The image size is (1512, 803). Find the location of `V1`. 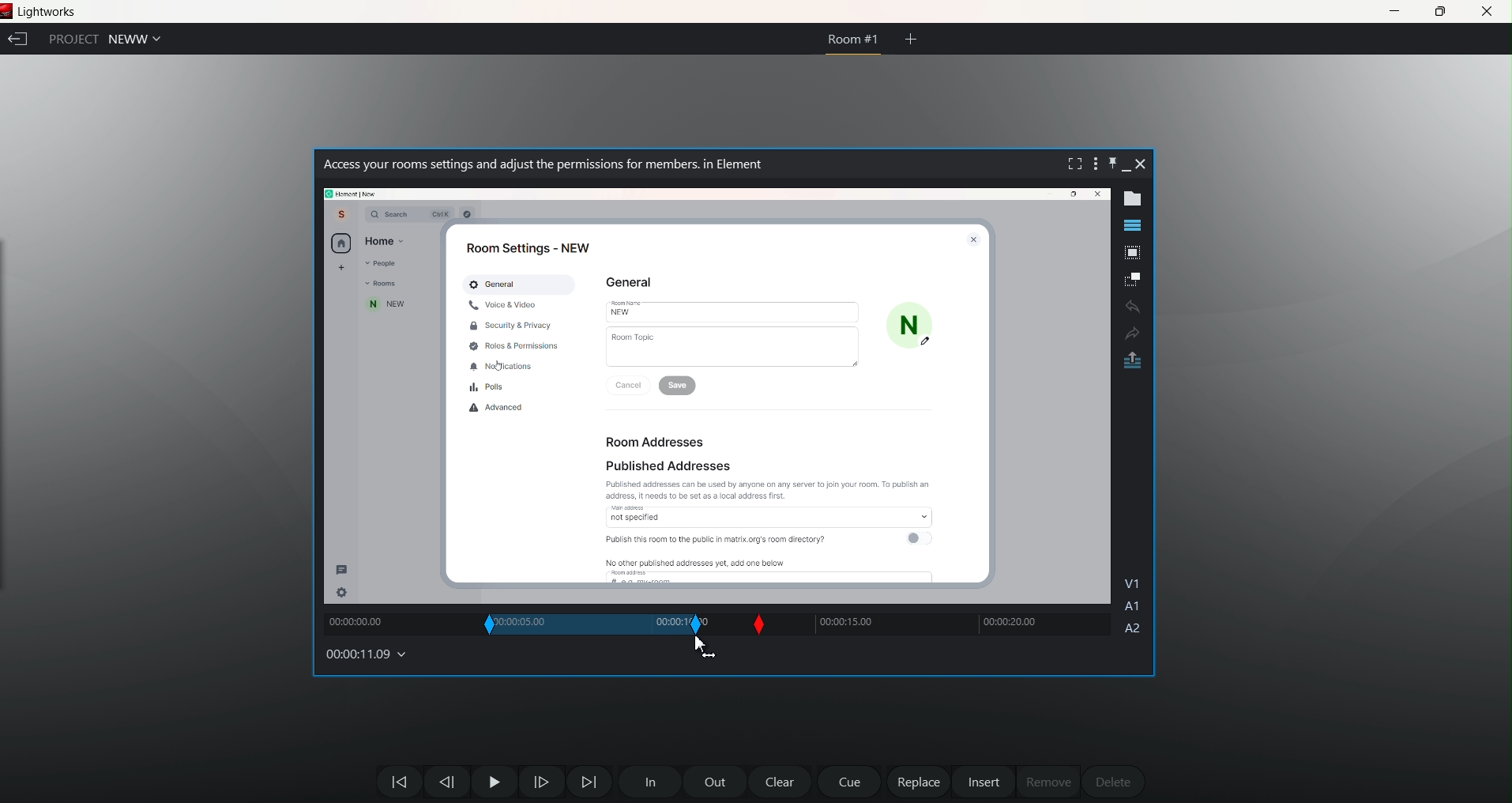

V1 is located at coordinates (1133, 582).